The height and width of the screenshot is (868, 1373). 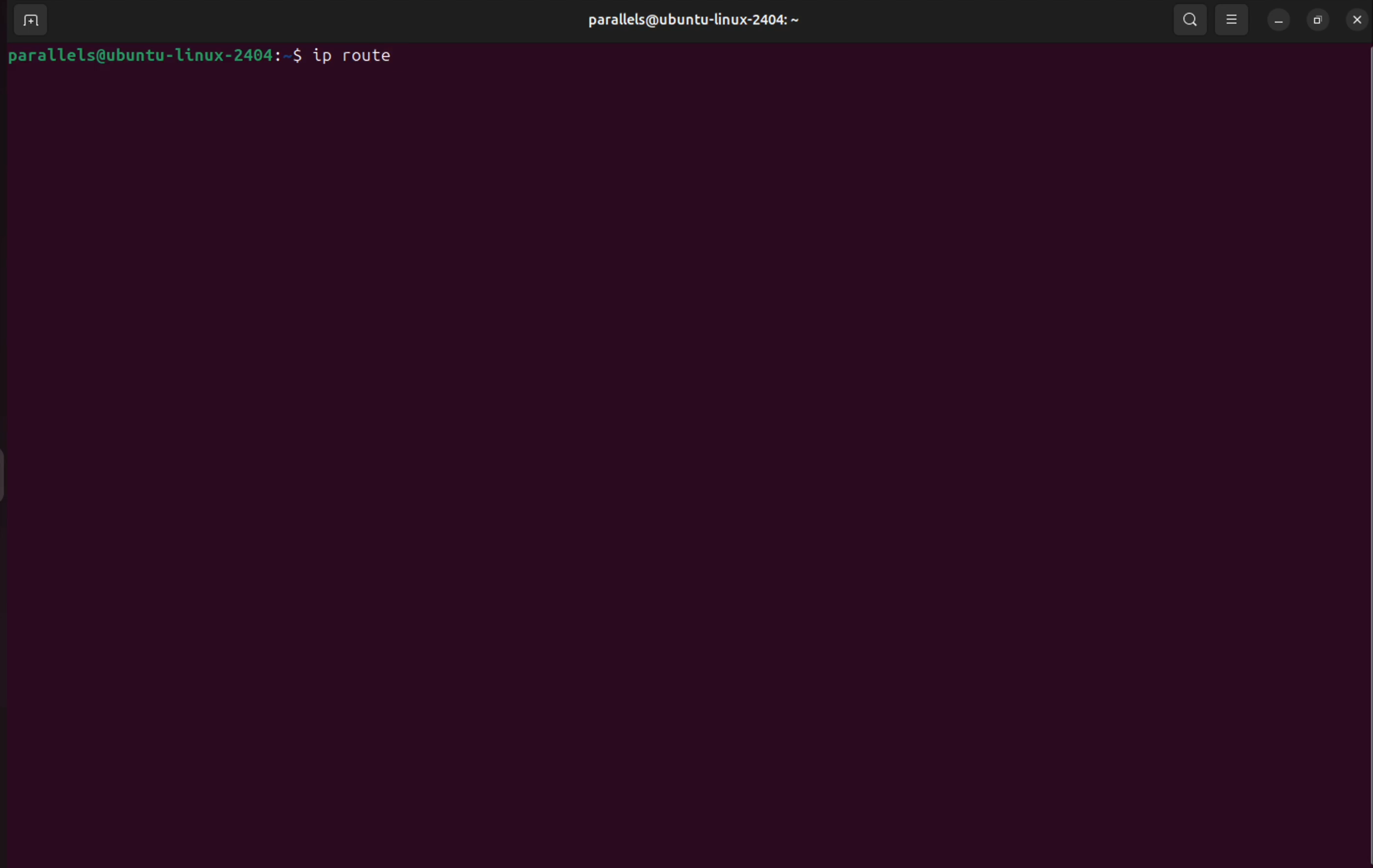 I want to click on close, so click(x=1359, y=20).